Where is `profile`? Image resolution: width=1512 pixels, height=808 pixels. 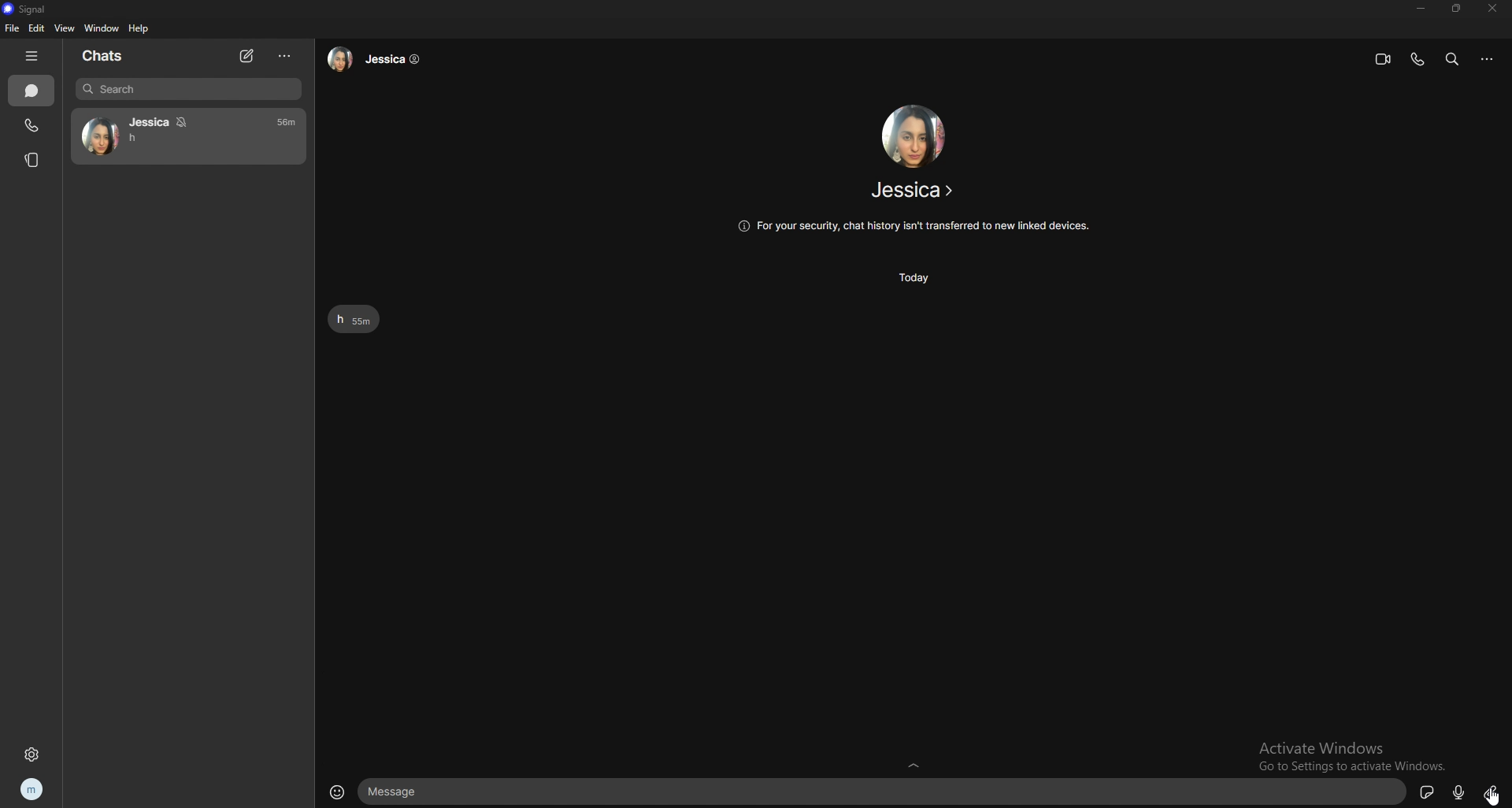
profile is located at coordinates (33, 789).